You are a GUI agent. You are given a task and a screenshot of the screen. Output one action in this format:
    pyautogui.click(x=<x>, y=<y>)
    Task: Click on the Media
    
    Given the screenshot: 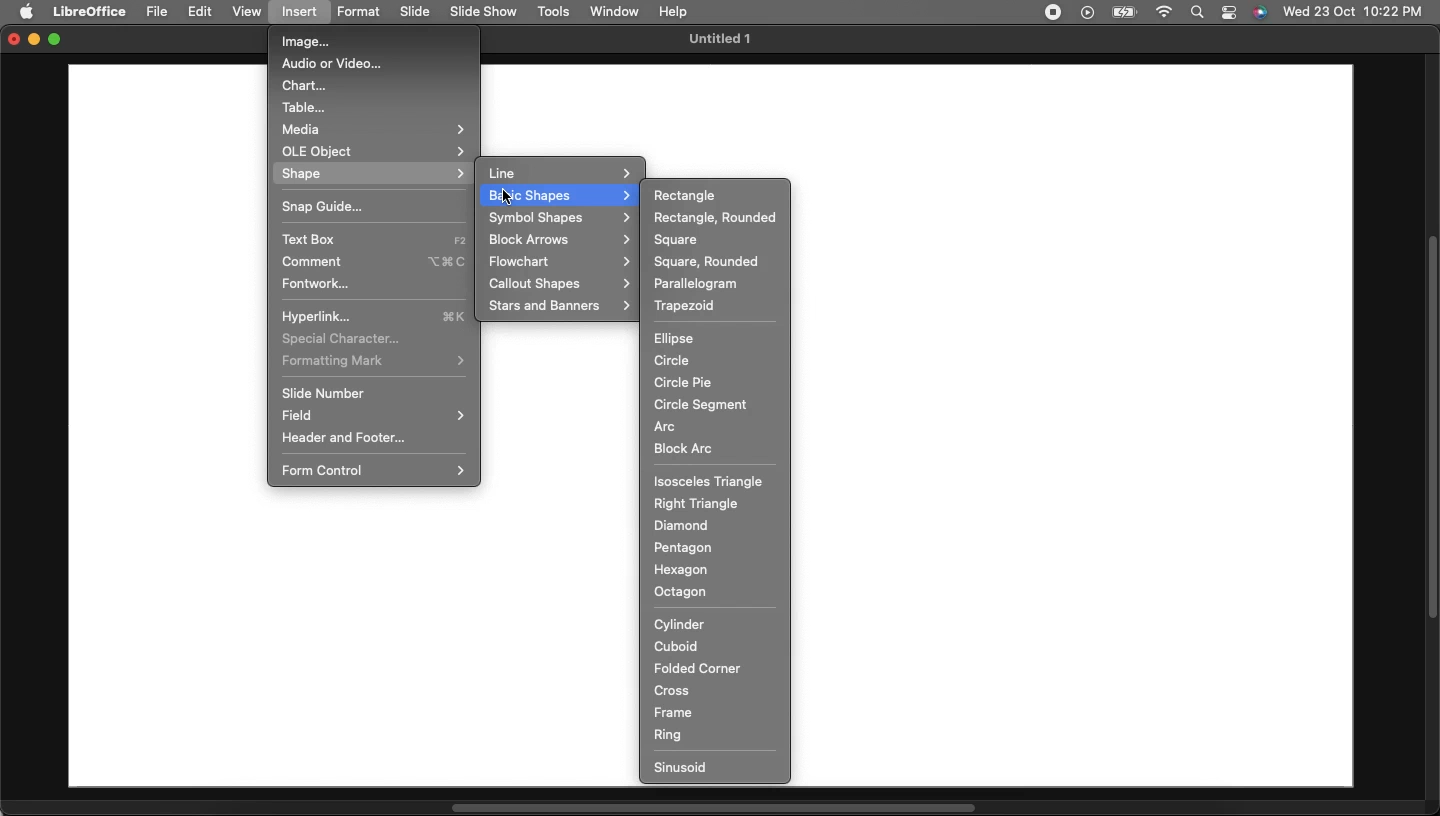 What is the action you would take?
    pyautogui.click(x=371, y=128)
    